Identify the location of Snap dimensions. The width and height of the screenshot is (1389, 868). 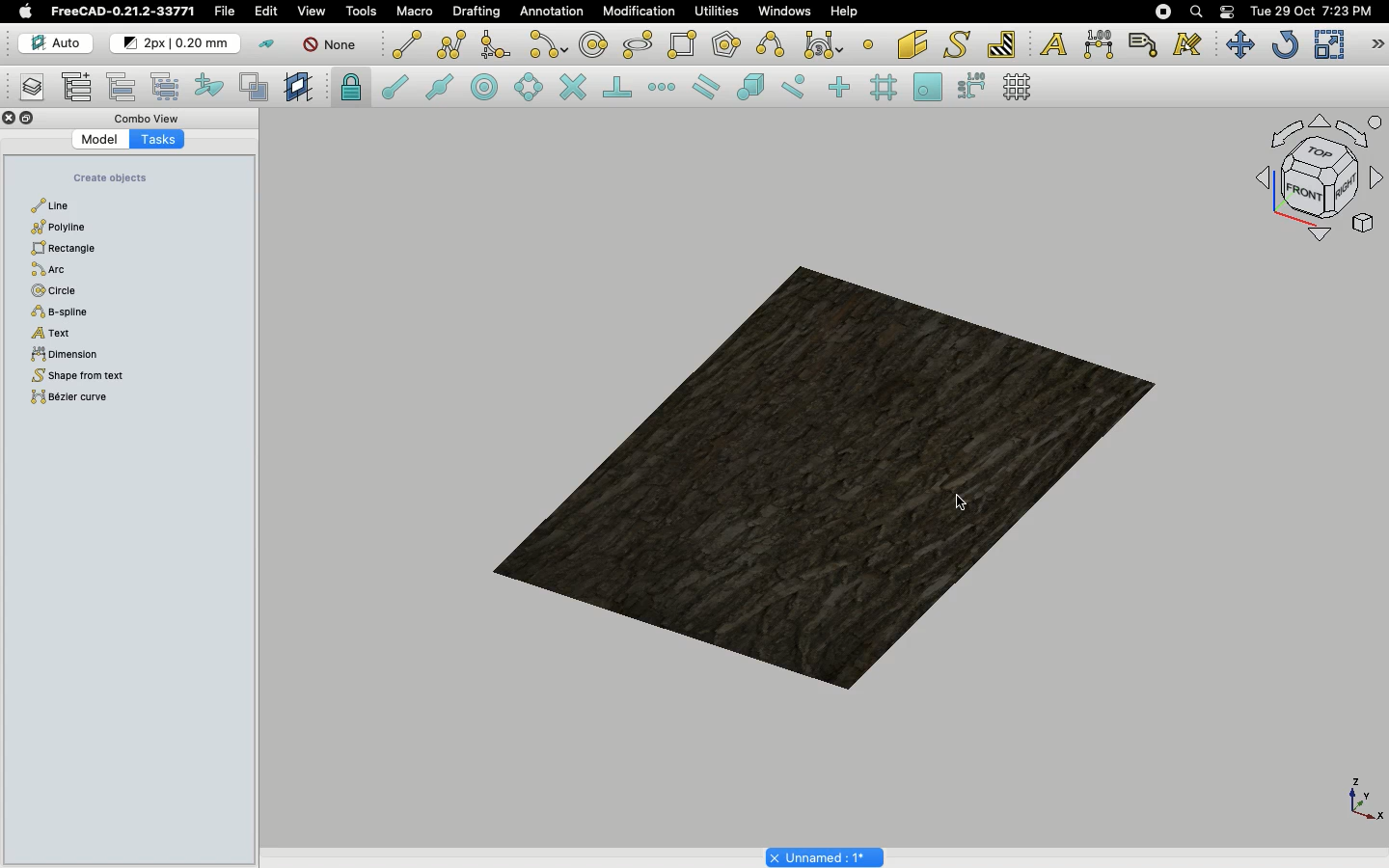
(968, 86).